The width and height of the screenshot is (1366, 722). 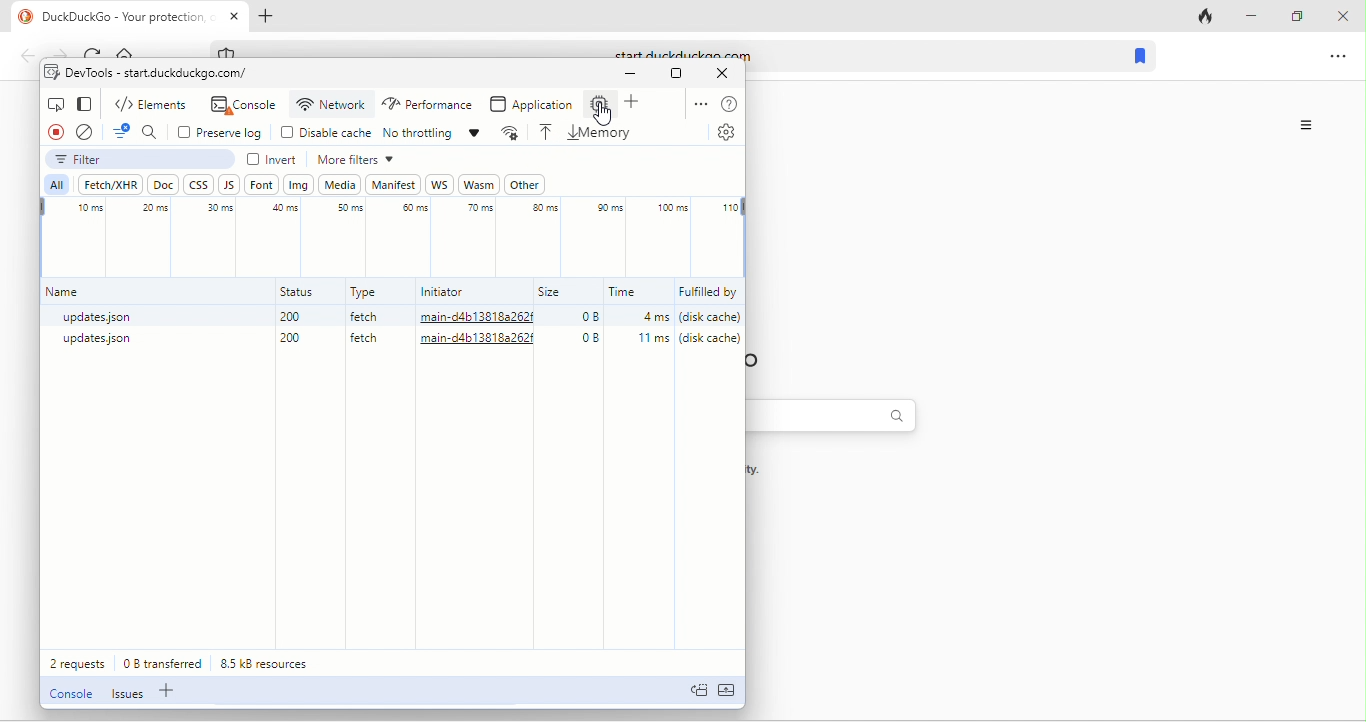 I want to click on add, so click(x=170, y=691).